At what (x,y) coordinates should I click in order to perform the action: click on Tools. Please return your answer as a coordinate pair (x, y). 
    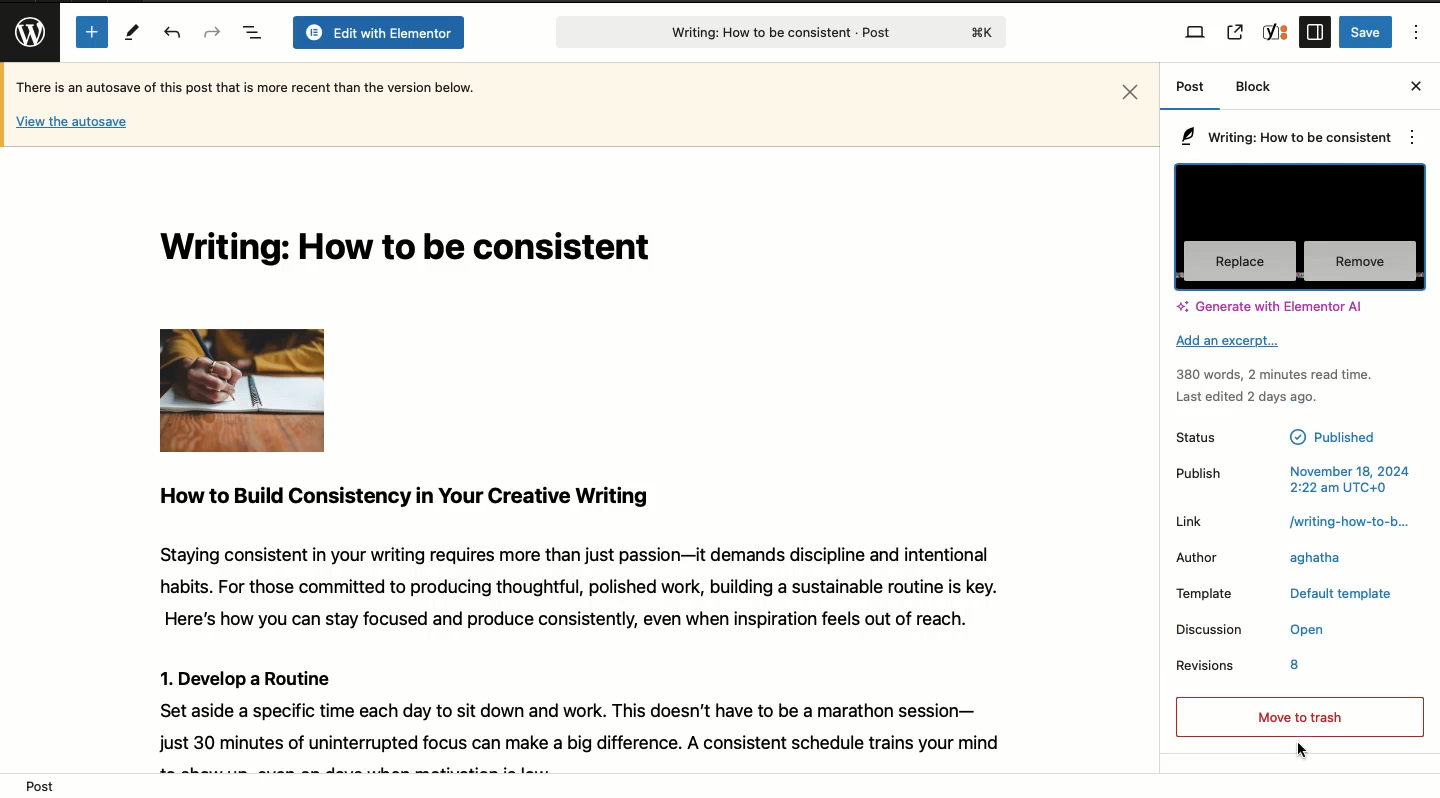
    Looking at the image, I should click on (133, 34).